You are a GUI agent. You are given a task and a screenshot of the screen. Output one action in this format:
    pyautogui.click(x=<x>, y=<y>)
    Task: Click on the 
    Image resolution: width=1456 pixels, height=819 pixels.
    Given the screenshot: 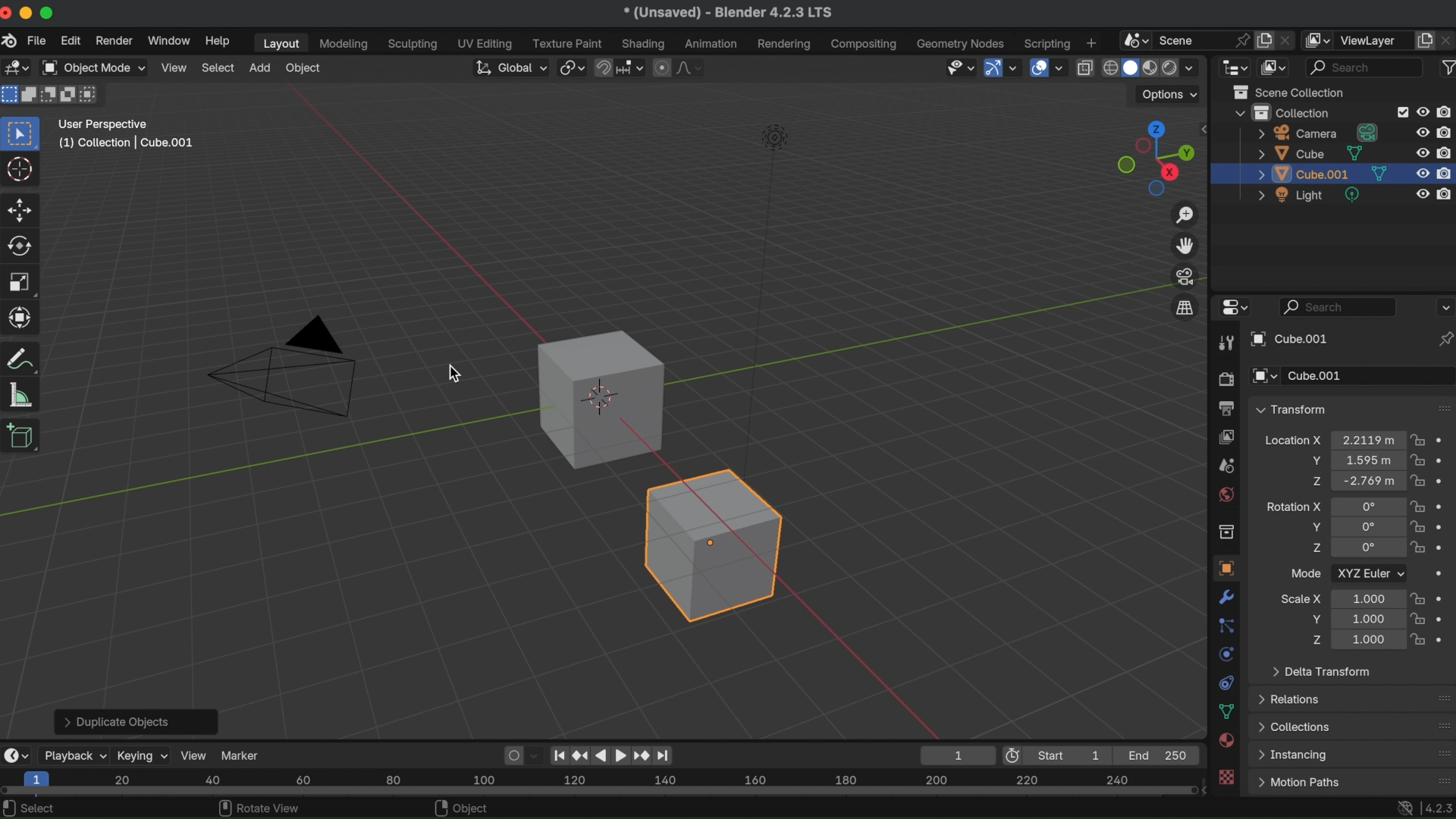 What is the action you would take?
    pyautogui.click(x=1306, y=785)
    